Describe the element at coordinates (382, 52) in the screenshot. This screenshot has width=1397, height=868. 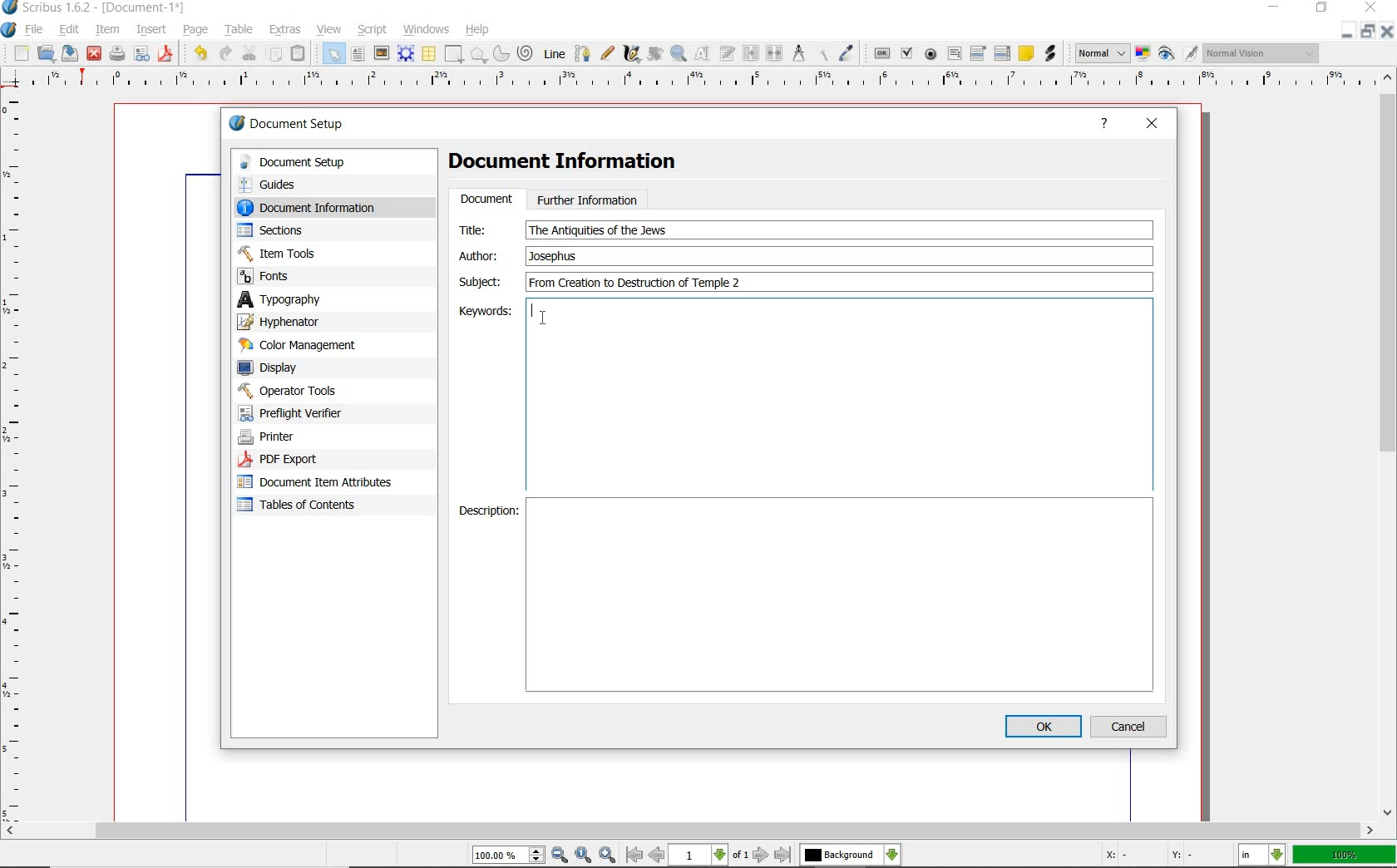
I see `image frame` at that location.